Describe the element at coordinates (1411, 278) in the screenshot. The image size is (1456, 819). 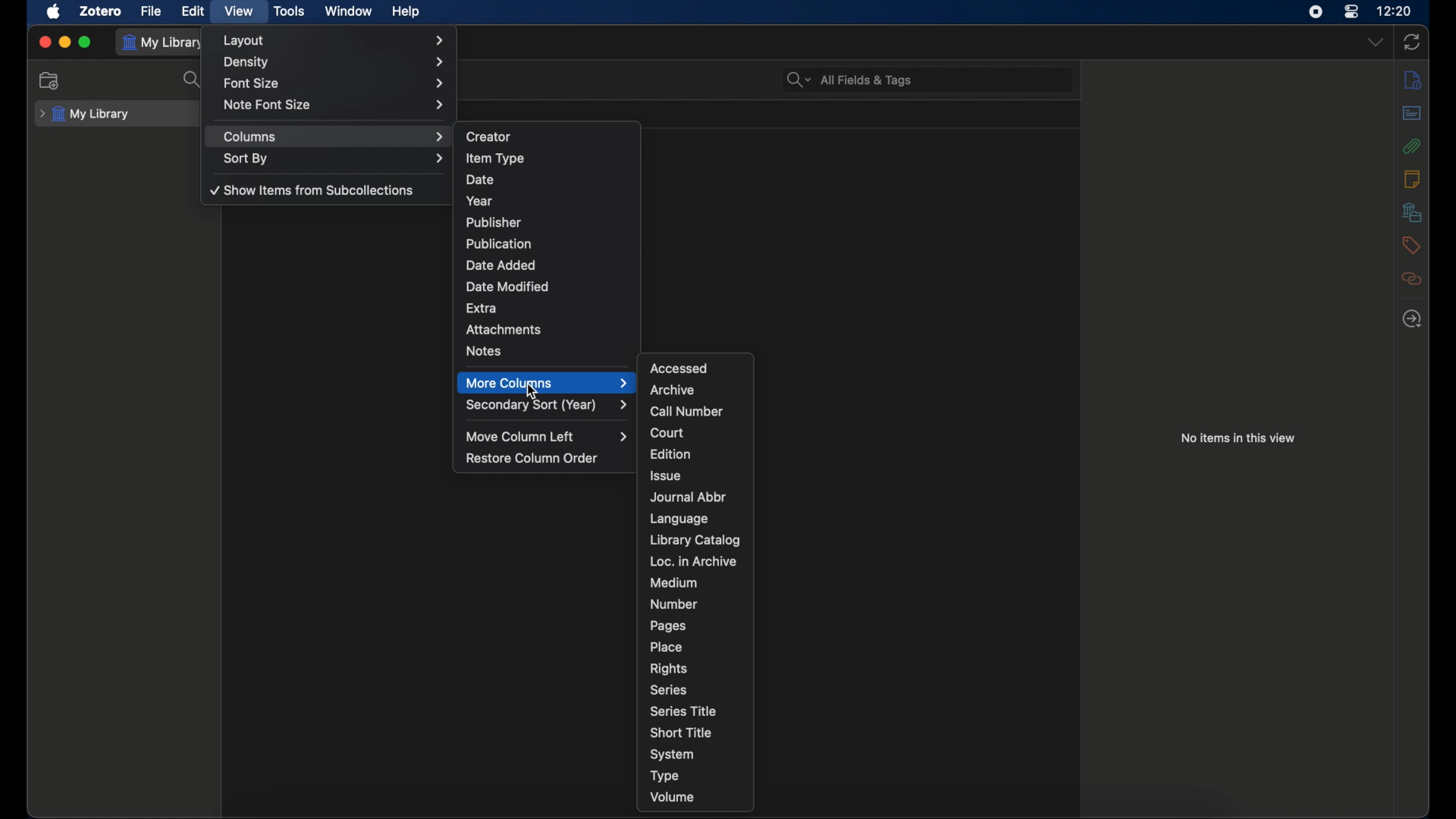
I see `relate` at that location.